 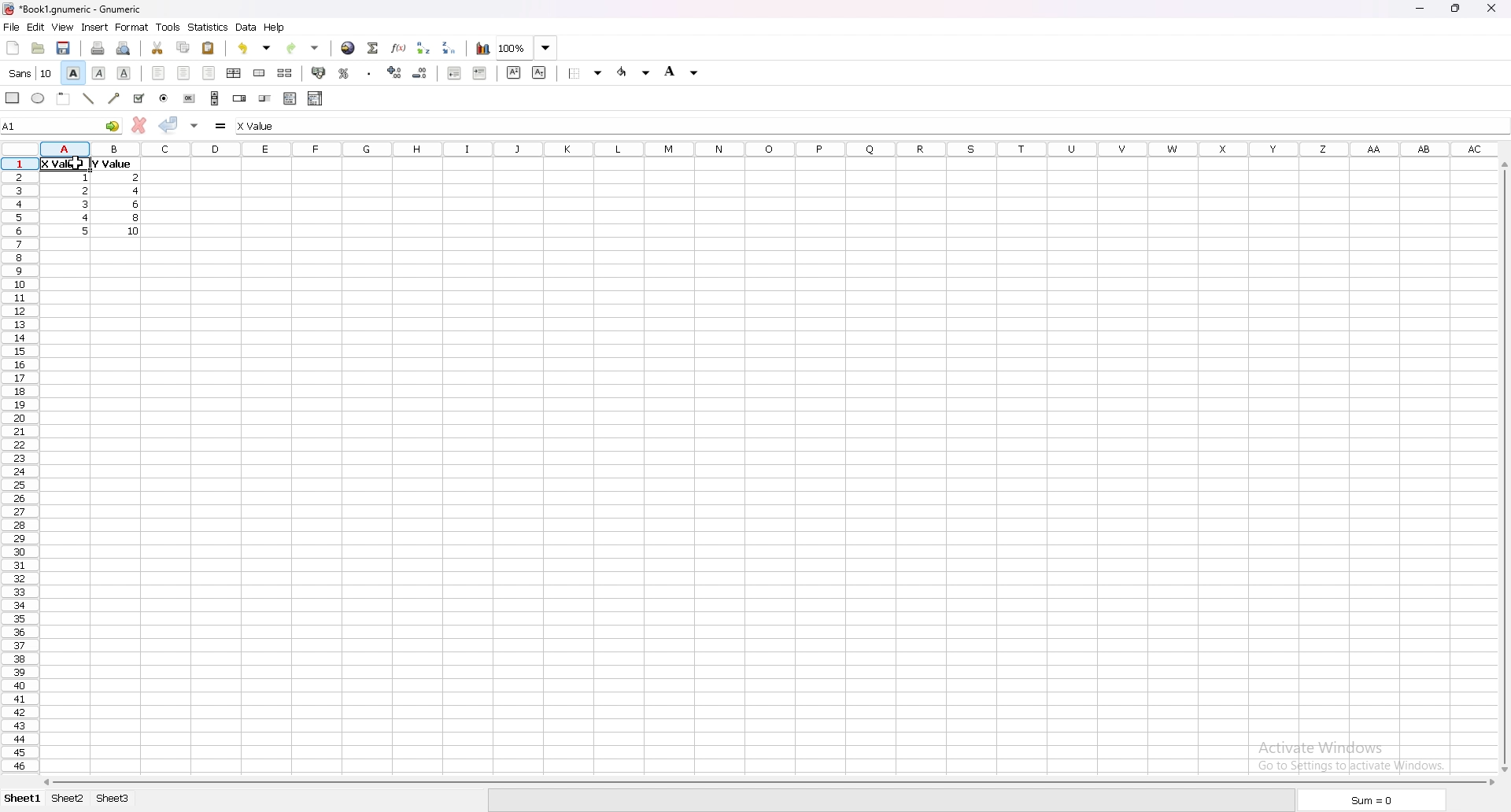 What do you see at coordinates (124, 73) in the screenshot?
I see `underline` at bounding box center [124, 73].